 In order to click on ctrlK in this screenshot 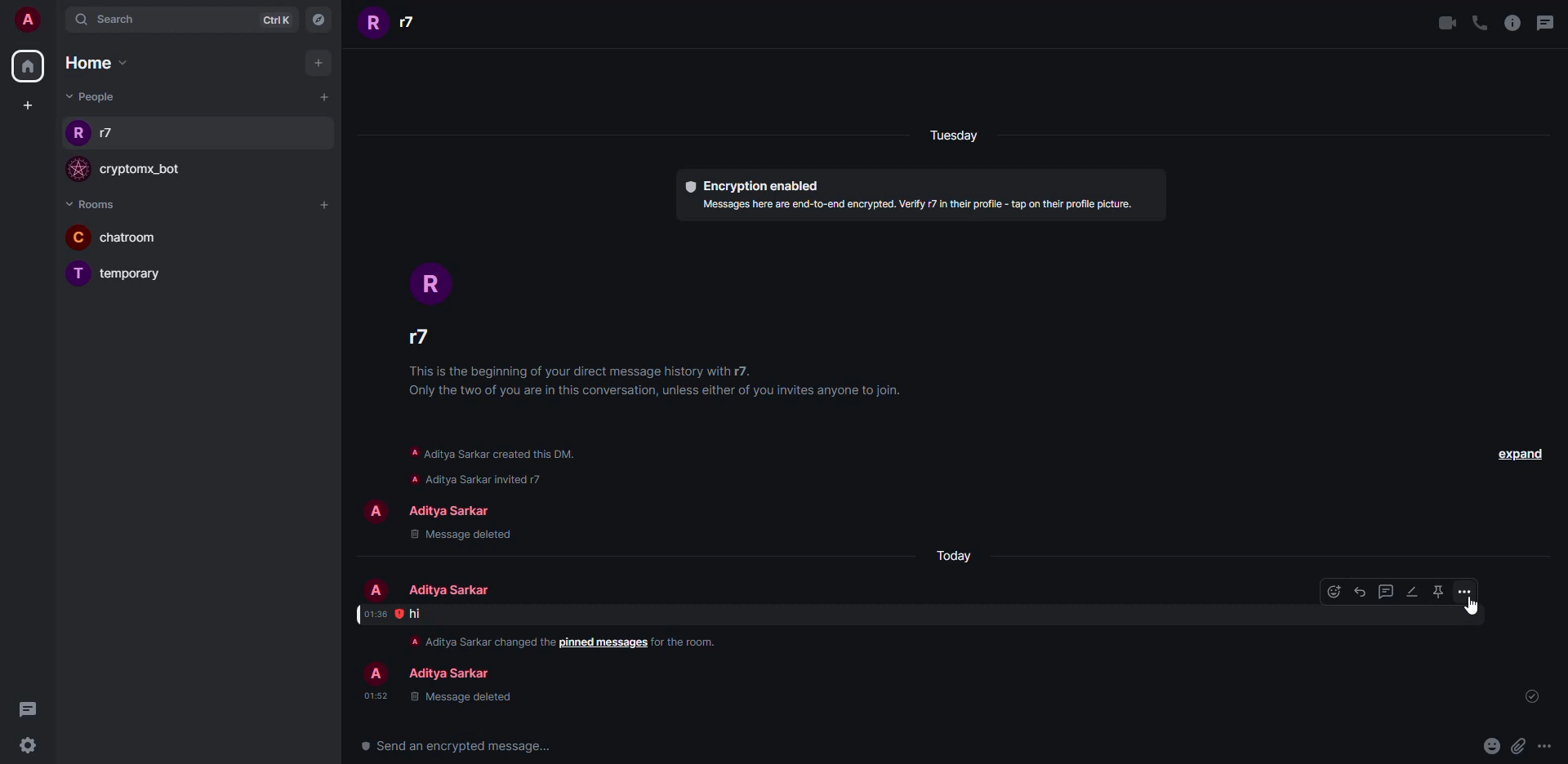, I will do `click(266, 19)`.